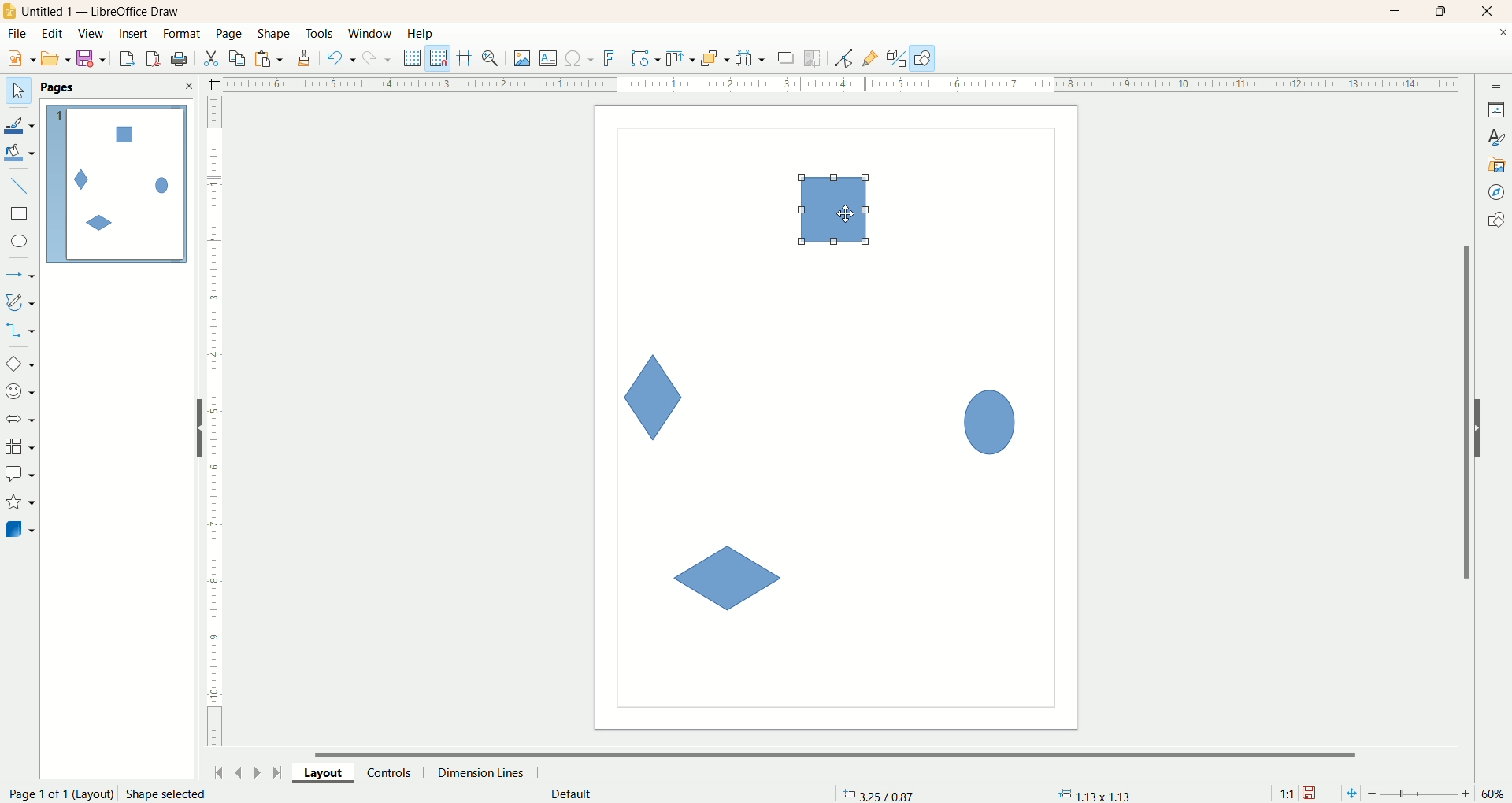  What do you see at coordinates (1496, 109) in the screenshot?
I see `properties` at bounding box center [1496, 109].